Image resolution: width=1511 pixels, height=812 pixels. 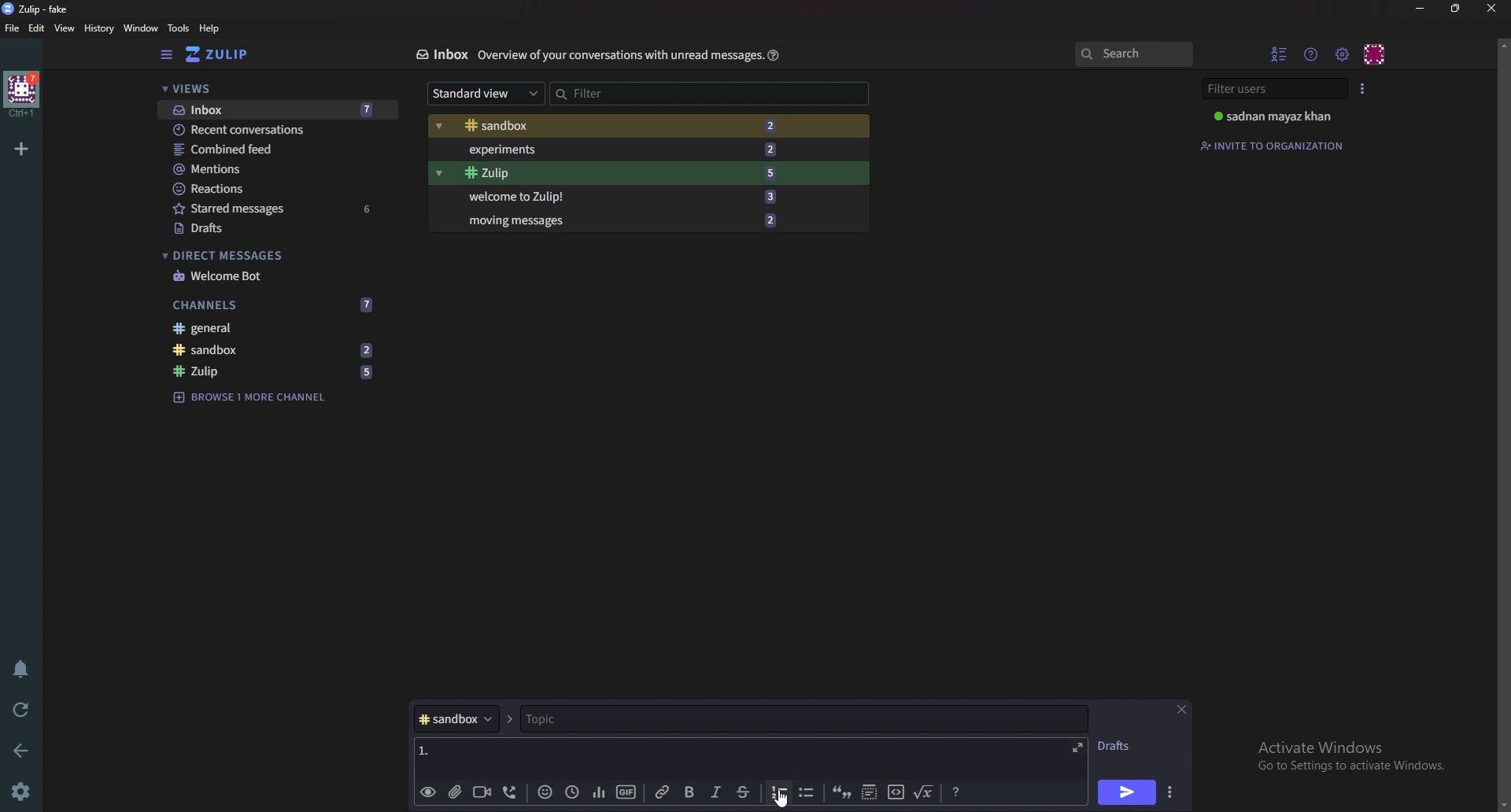 What do you see at coordinates (272, 109) in the screenshot?
I see `Inbox` at bounding box center [272, 109].